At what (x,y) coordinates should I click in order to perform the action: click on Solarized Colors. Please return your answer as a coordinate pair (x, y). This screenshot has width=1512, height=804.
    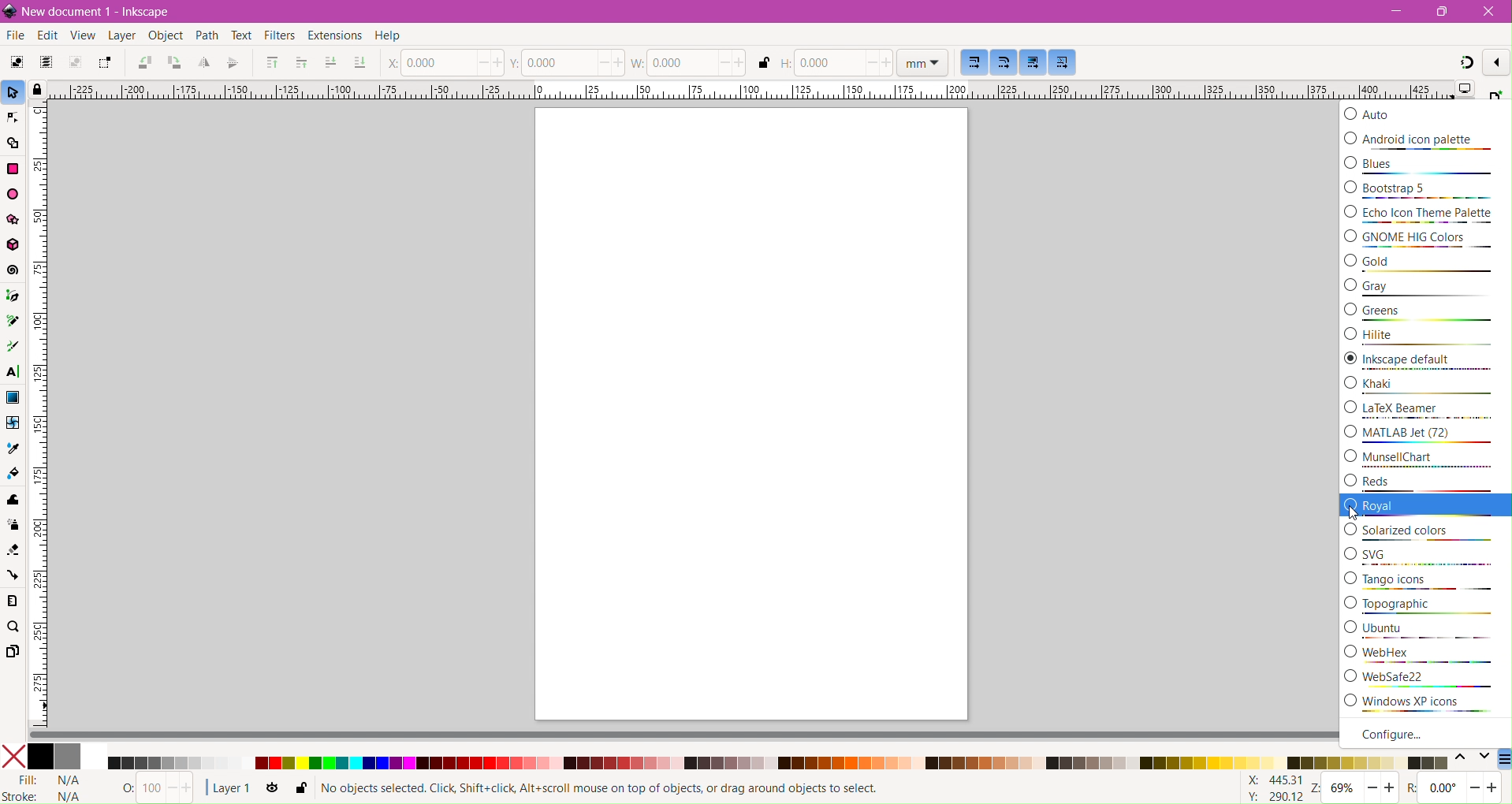
    Looking at the image, I should click on (1426, 533).